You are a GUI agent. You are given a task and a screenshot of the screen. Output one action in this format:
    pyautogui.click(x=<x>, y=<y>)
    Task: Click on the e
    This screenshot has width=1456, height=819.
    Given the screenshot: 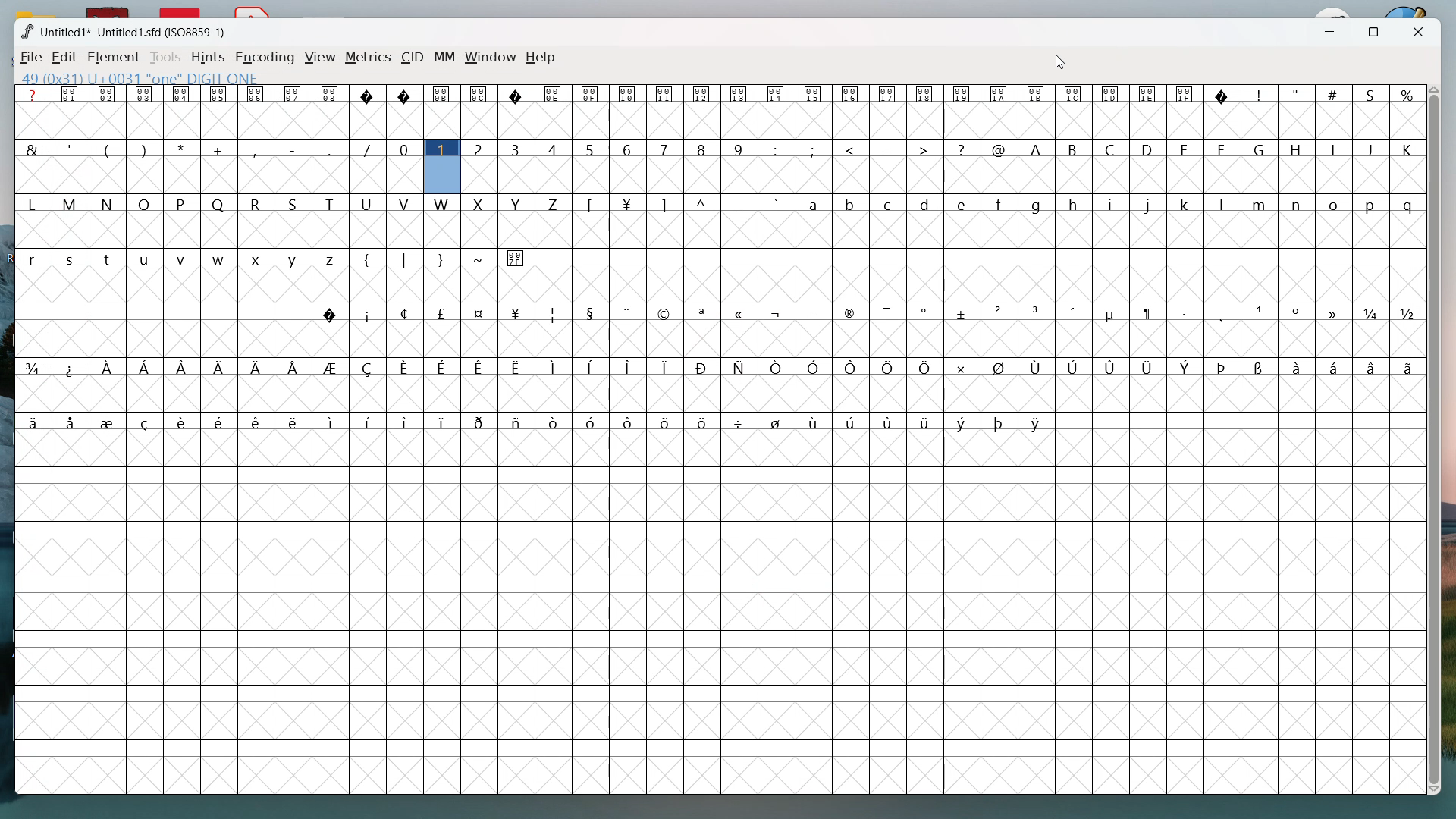 What is the action you would take?
    pyautogui.click(x=964, y=203)
    